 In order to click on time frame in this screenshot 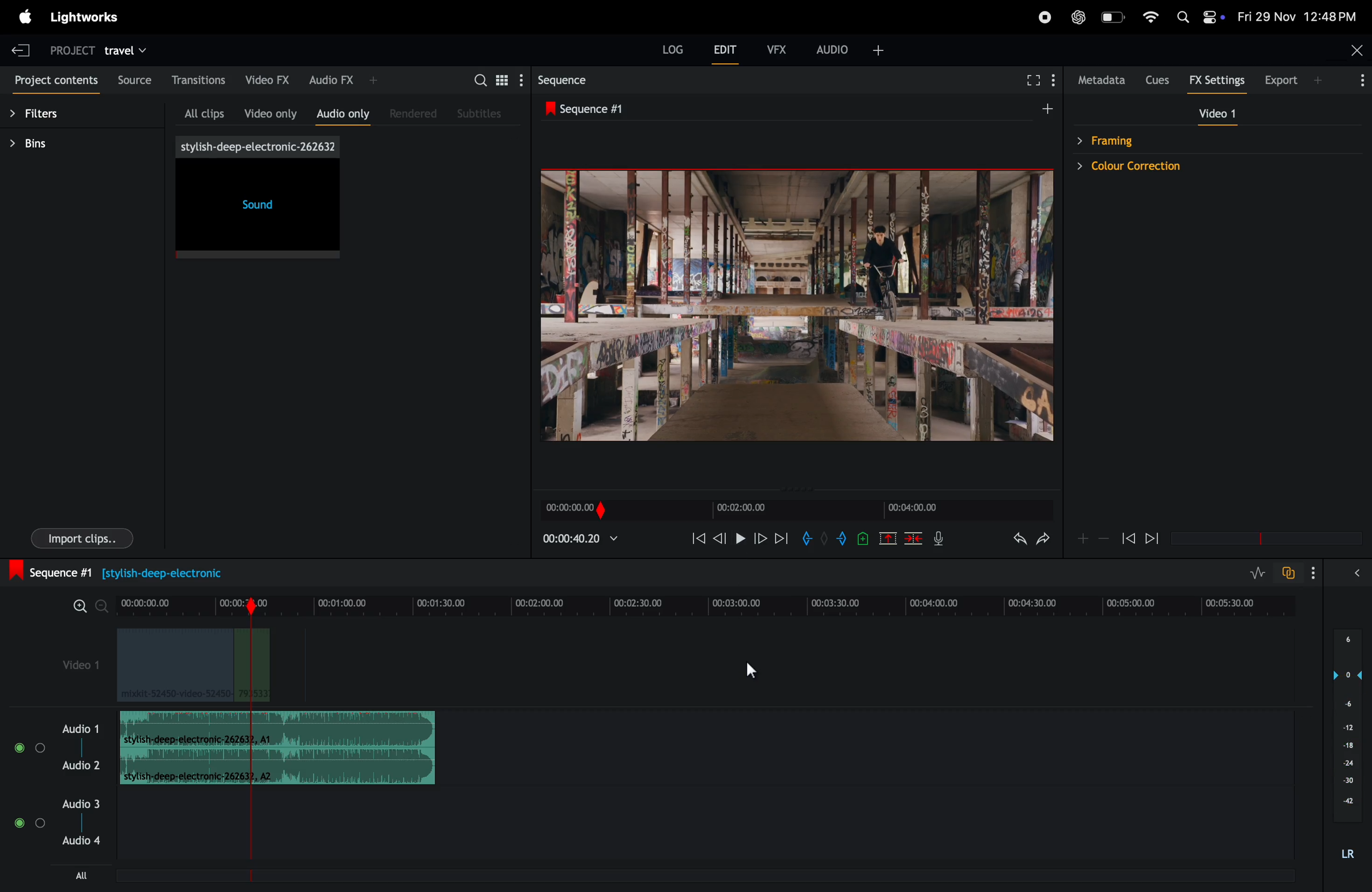, I will do `click(798, 508)`.